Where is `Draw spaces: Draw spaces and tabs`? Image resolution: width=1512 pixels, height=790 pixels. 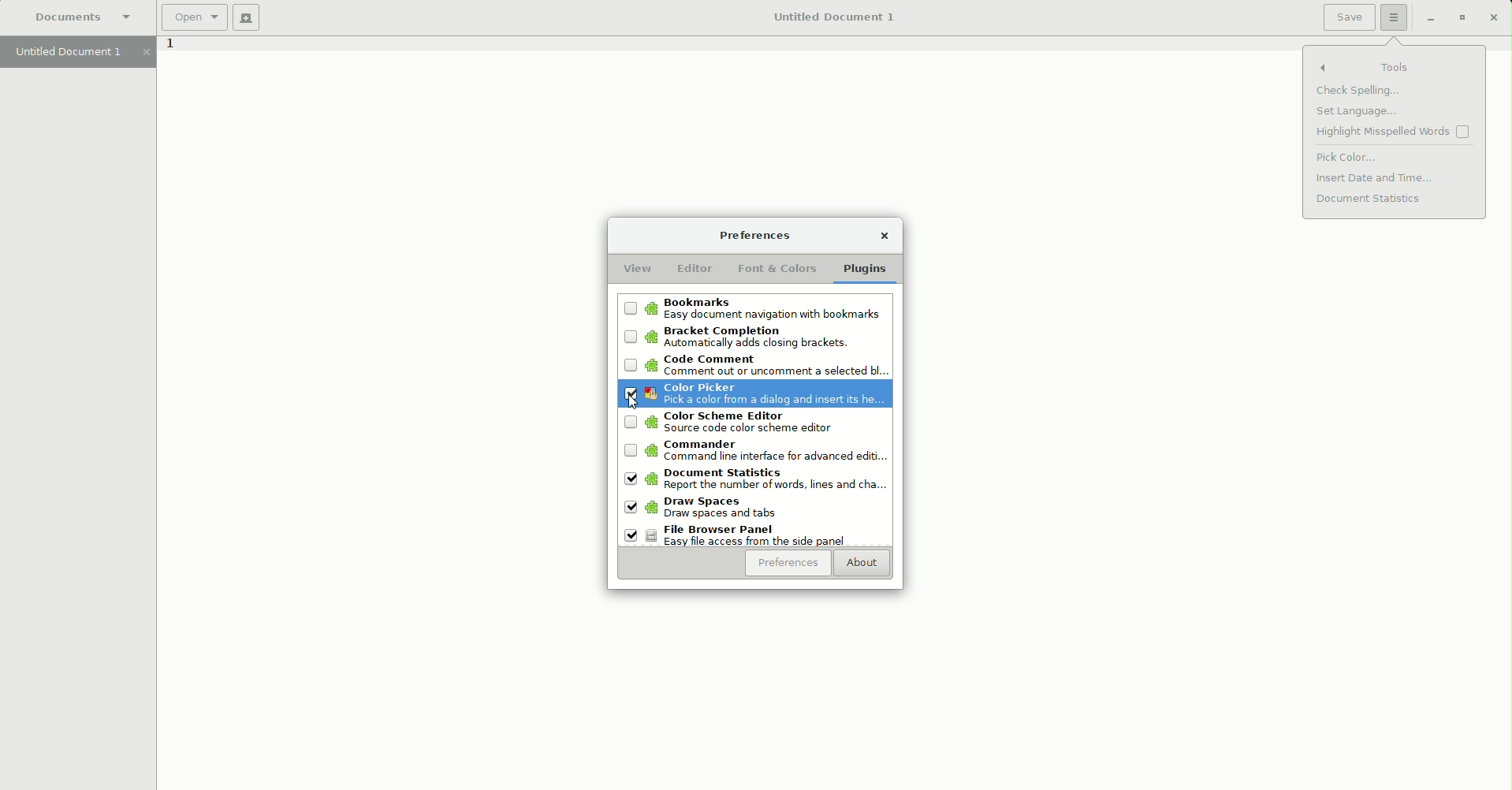 Draw spaces: Draw spaces and tabs is located at coordinates (717, 509).